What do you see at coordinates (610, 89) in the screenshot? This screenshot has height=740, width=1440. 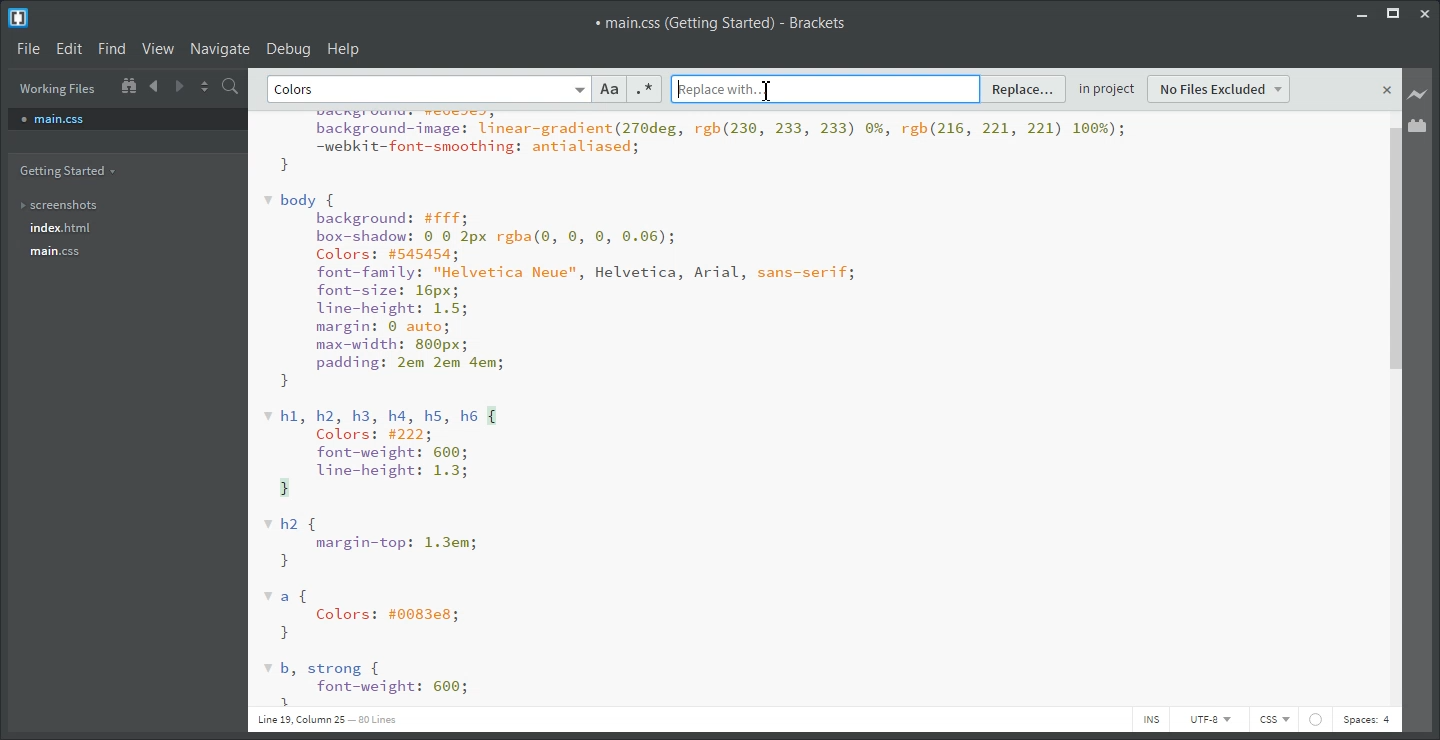 I see `Match Case` at bounding box center [610, 89].